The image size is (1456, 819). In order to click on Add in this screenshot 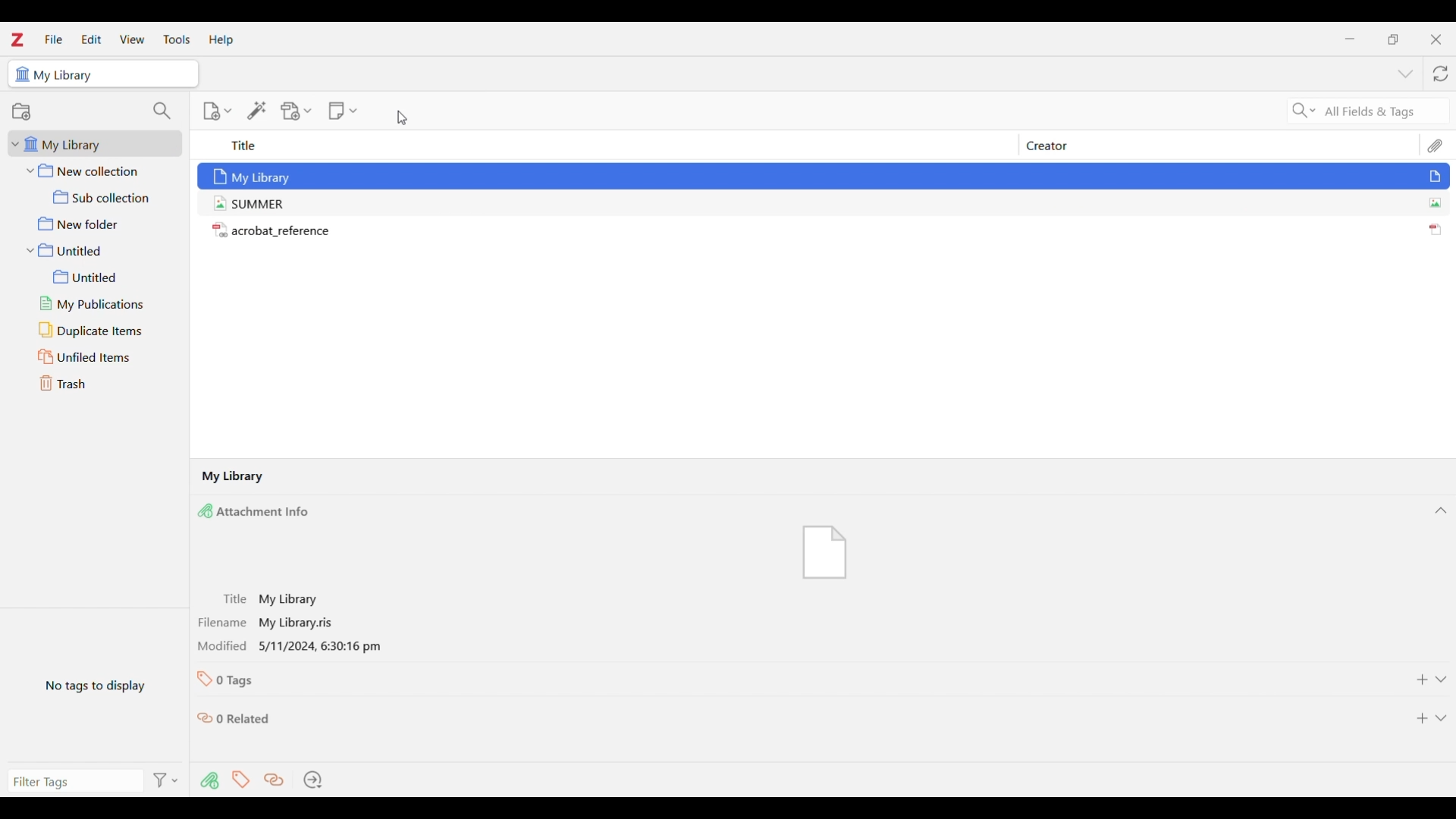, I will do `click(1413, 682)`.